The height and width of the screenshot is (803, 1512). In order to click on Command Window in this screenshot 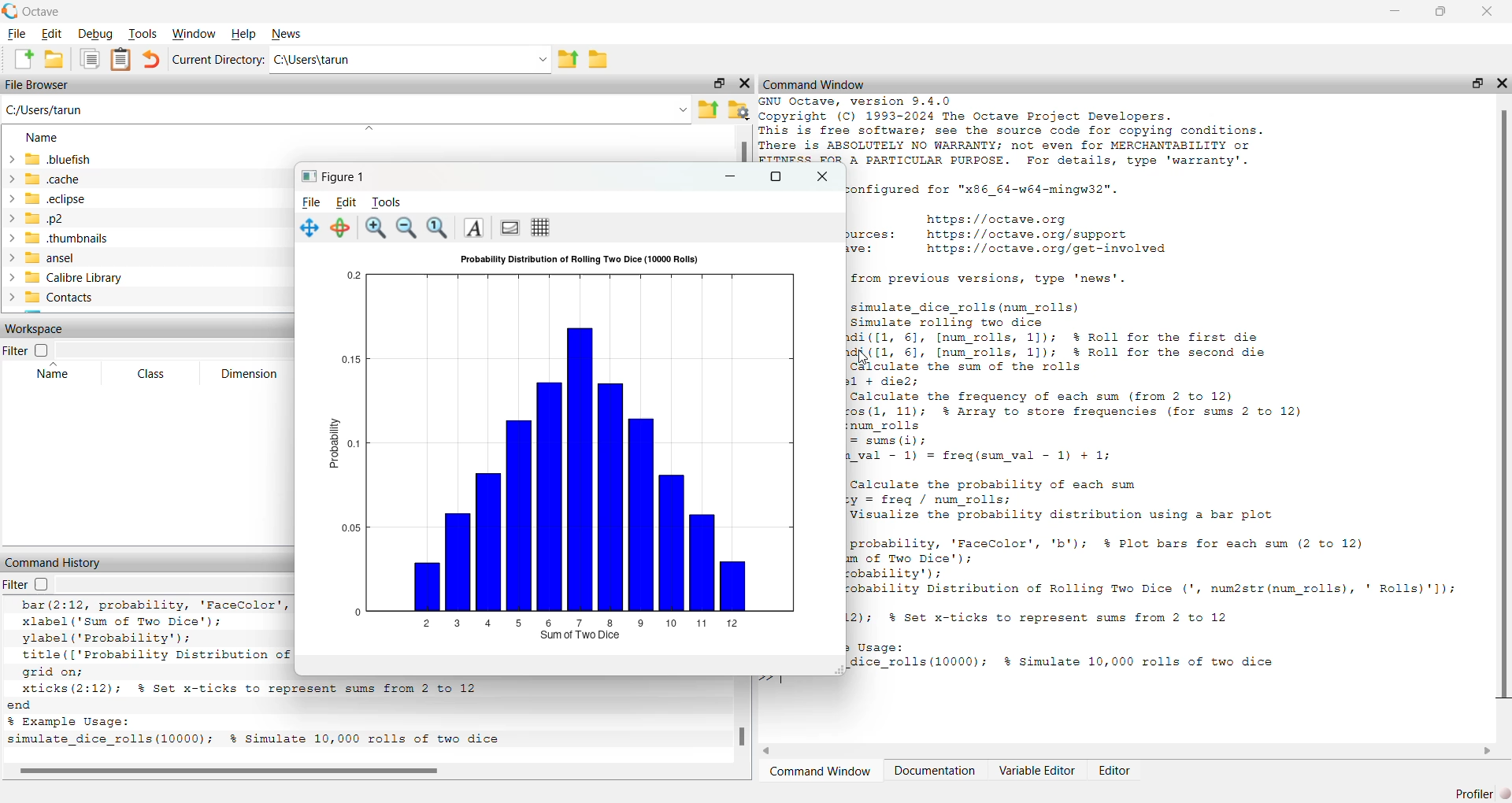, I will do `click(819, 770)`.